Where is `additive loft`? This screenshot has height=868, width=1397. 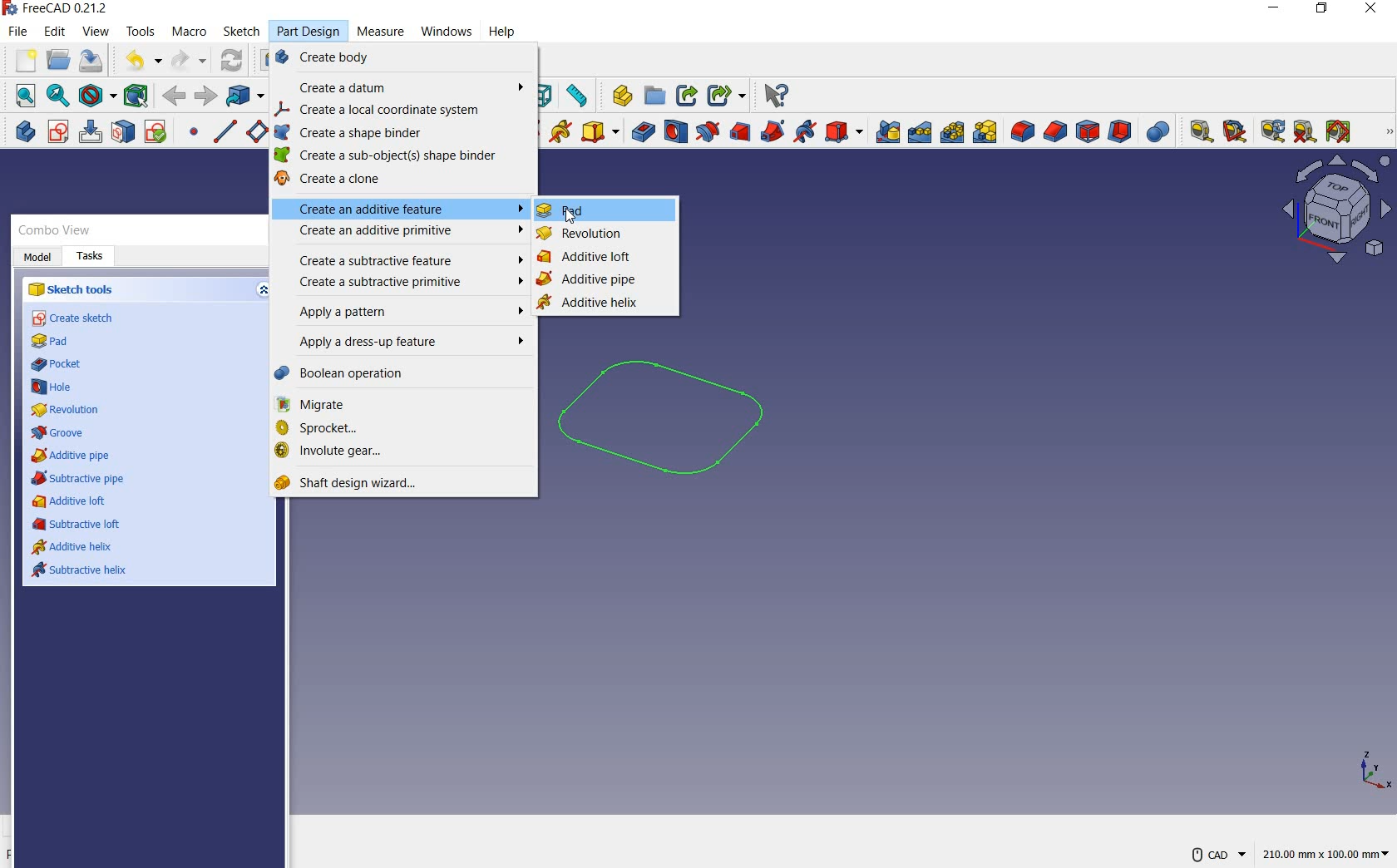 additive loft is located at coordinates (71, 501).